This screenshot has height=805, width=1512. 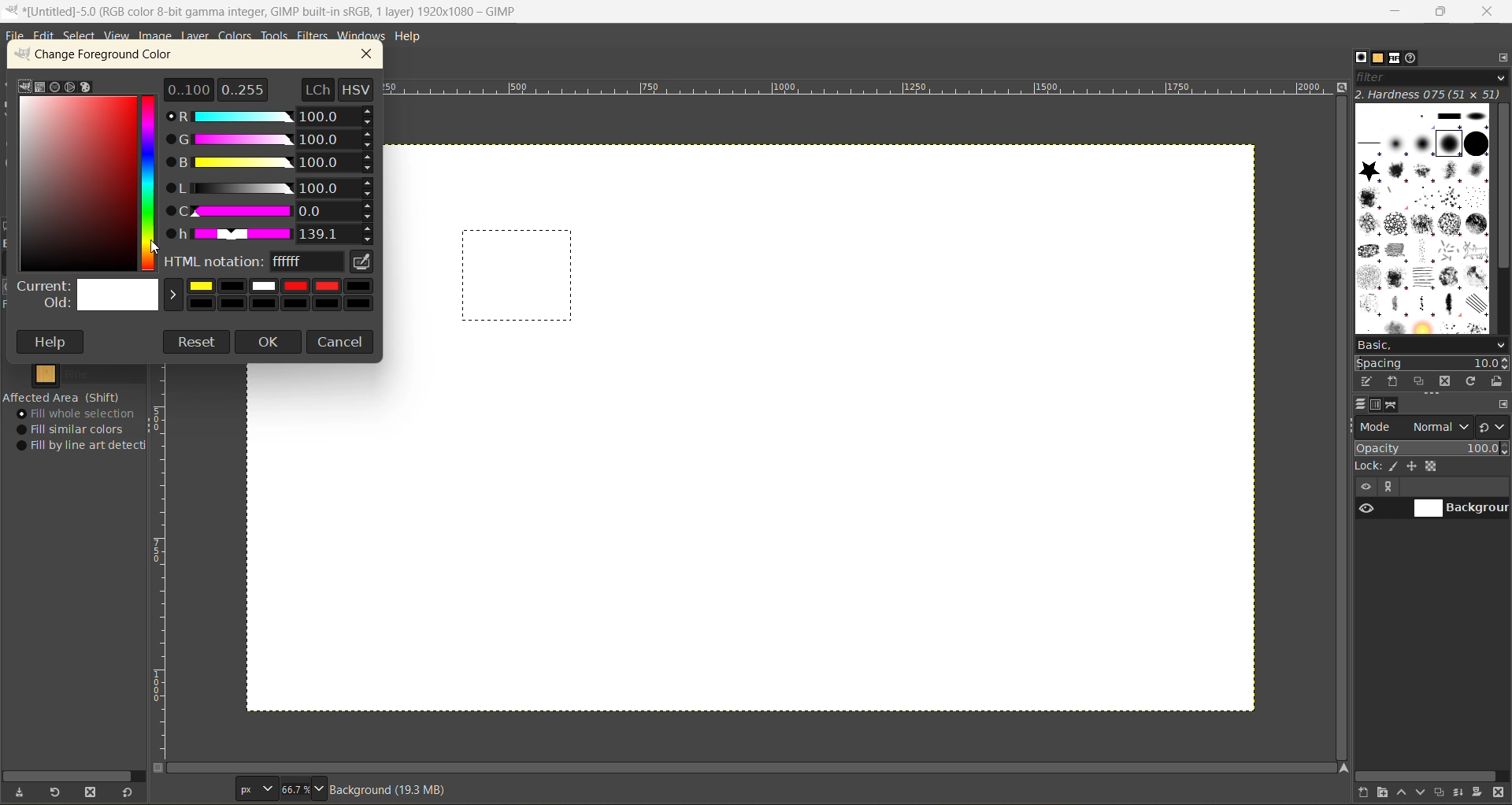 I want to click on fonts, so click(x=1396, y=58).